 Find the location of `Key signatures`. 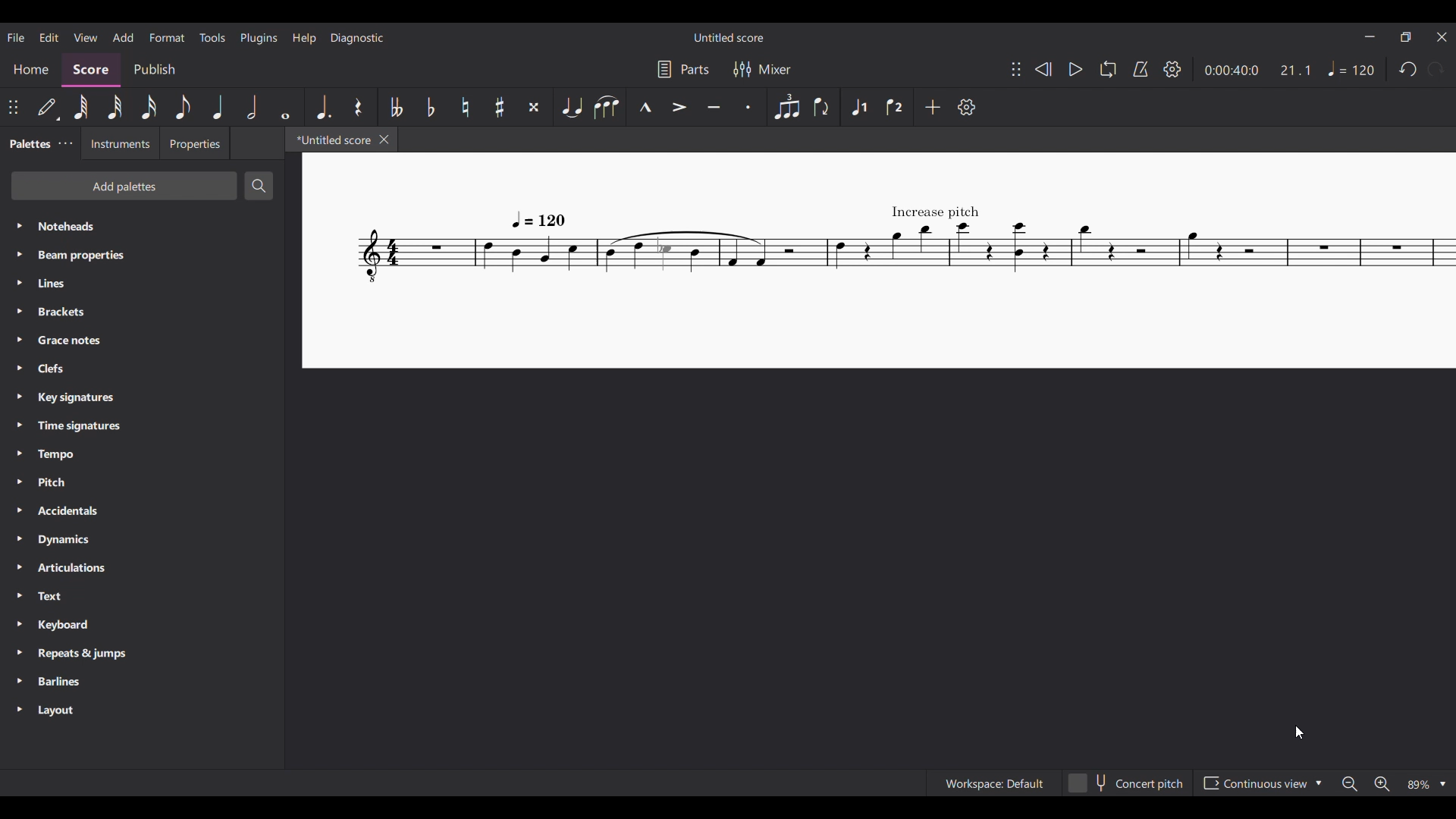

Key signatures is located at coordinates (143, 397).